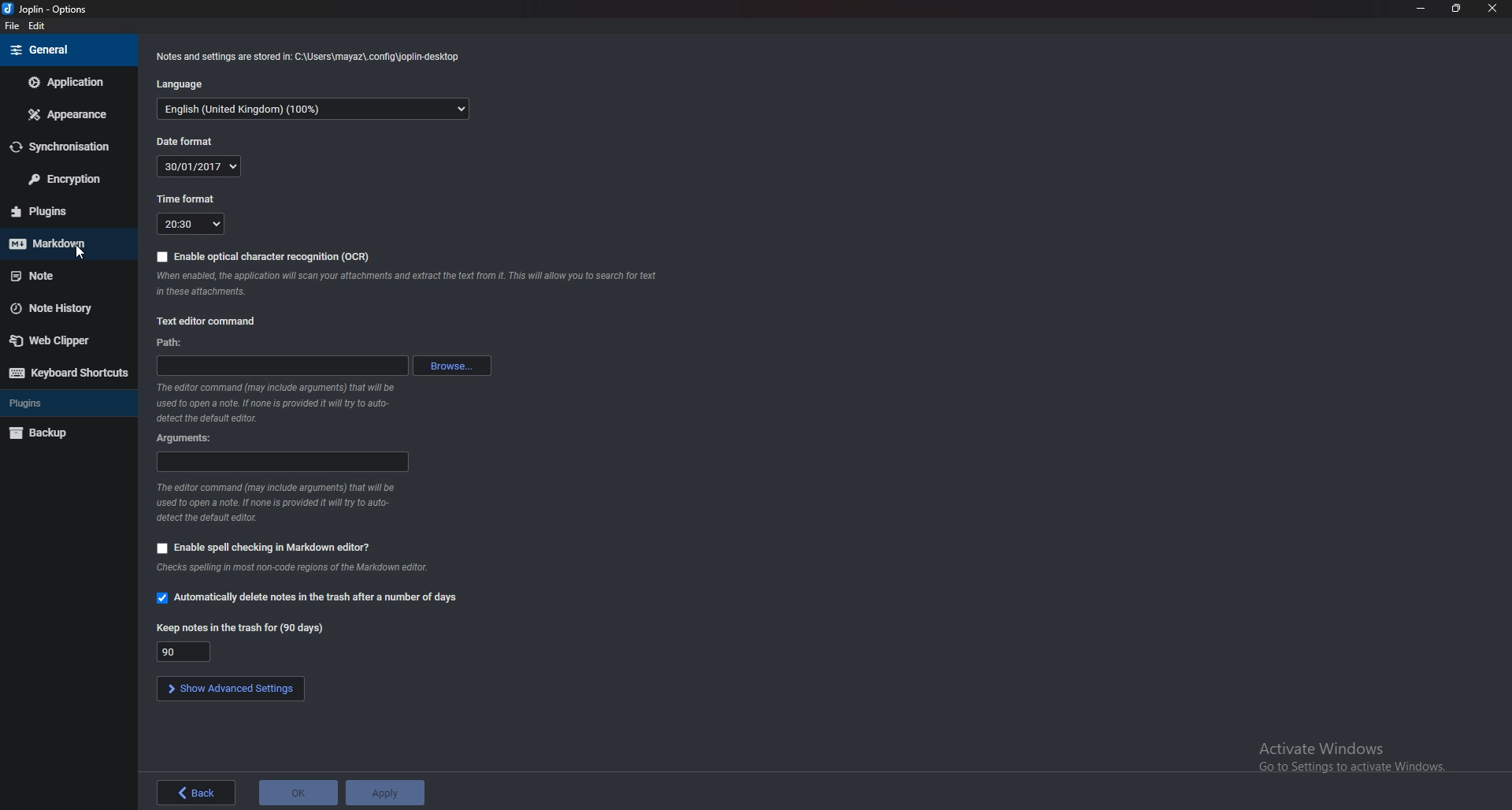  What do you see at coordinates (193, 440) in the screenshot?
I see `Arguments` at bounding box center [193, 440].